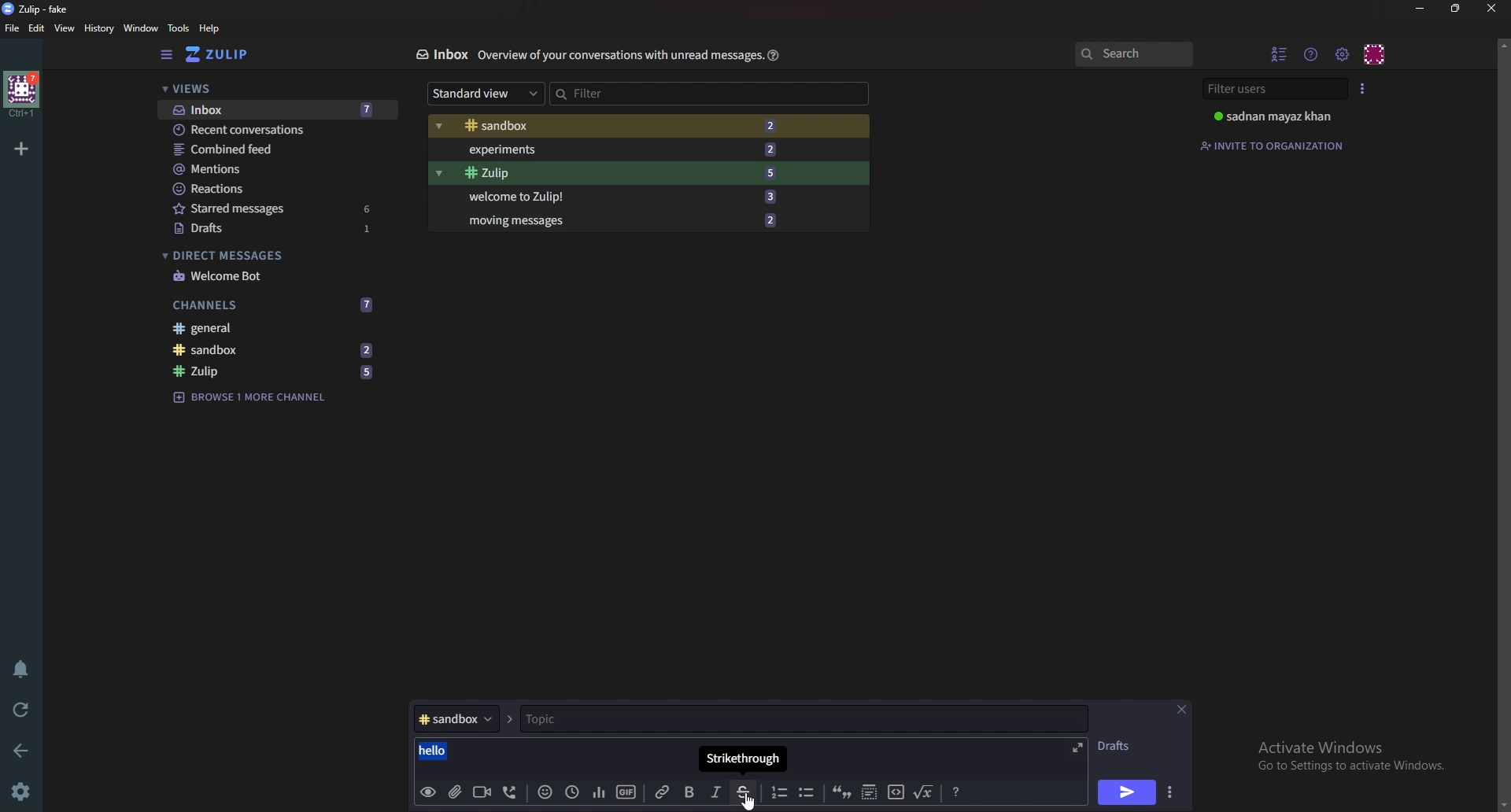  Describe the element at coordinates (926, 793) in the screenshot. I see `Math` at that location.